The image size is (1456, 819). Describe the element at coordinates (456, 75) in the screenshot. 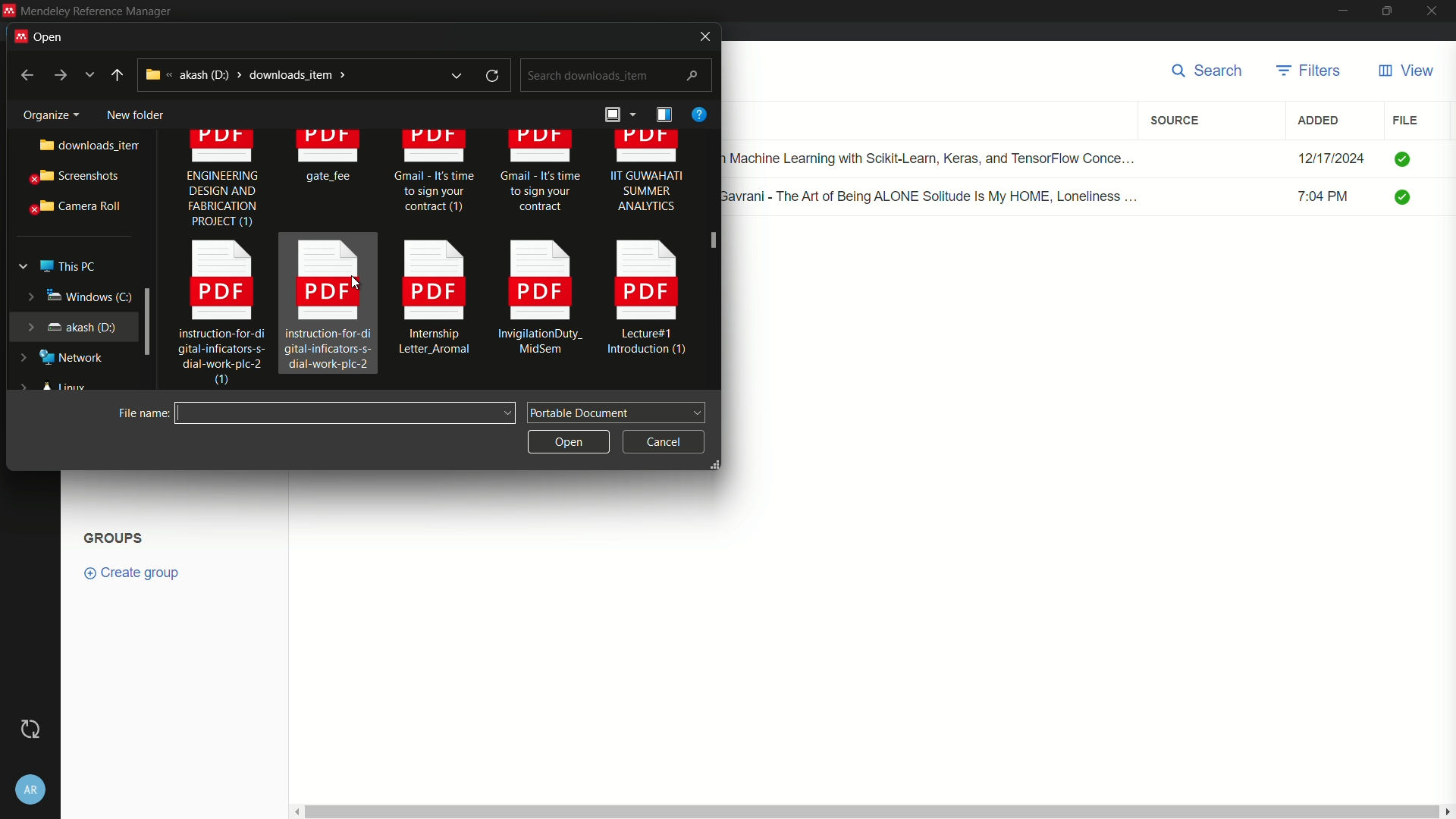

I see `expand` at that location.